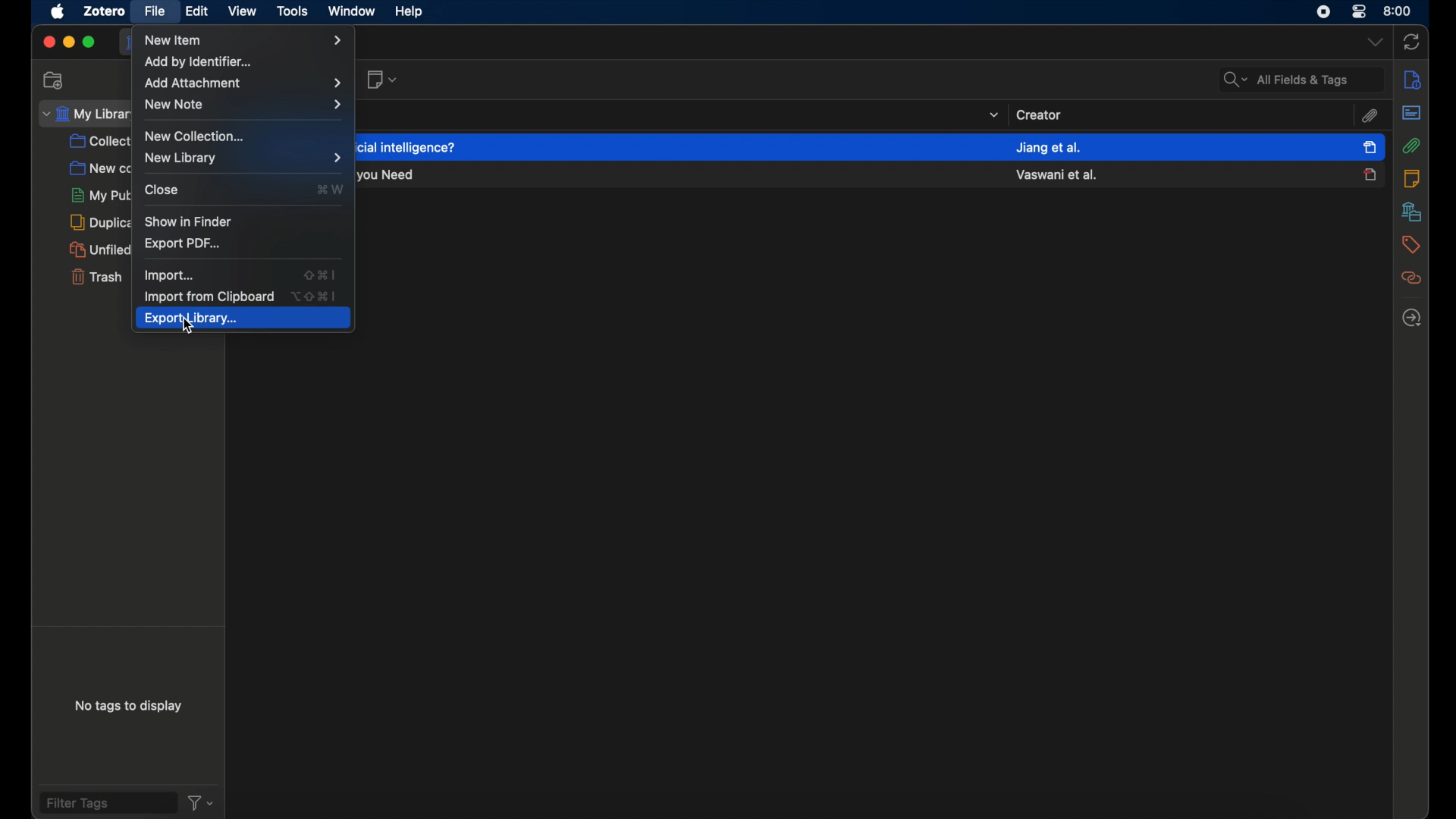 This screenshot has width=1456, height=819. Describe the element at coordinates (210, 297) in the screenshot. I see `import from clipboard` at that location.